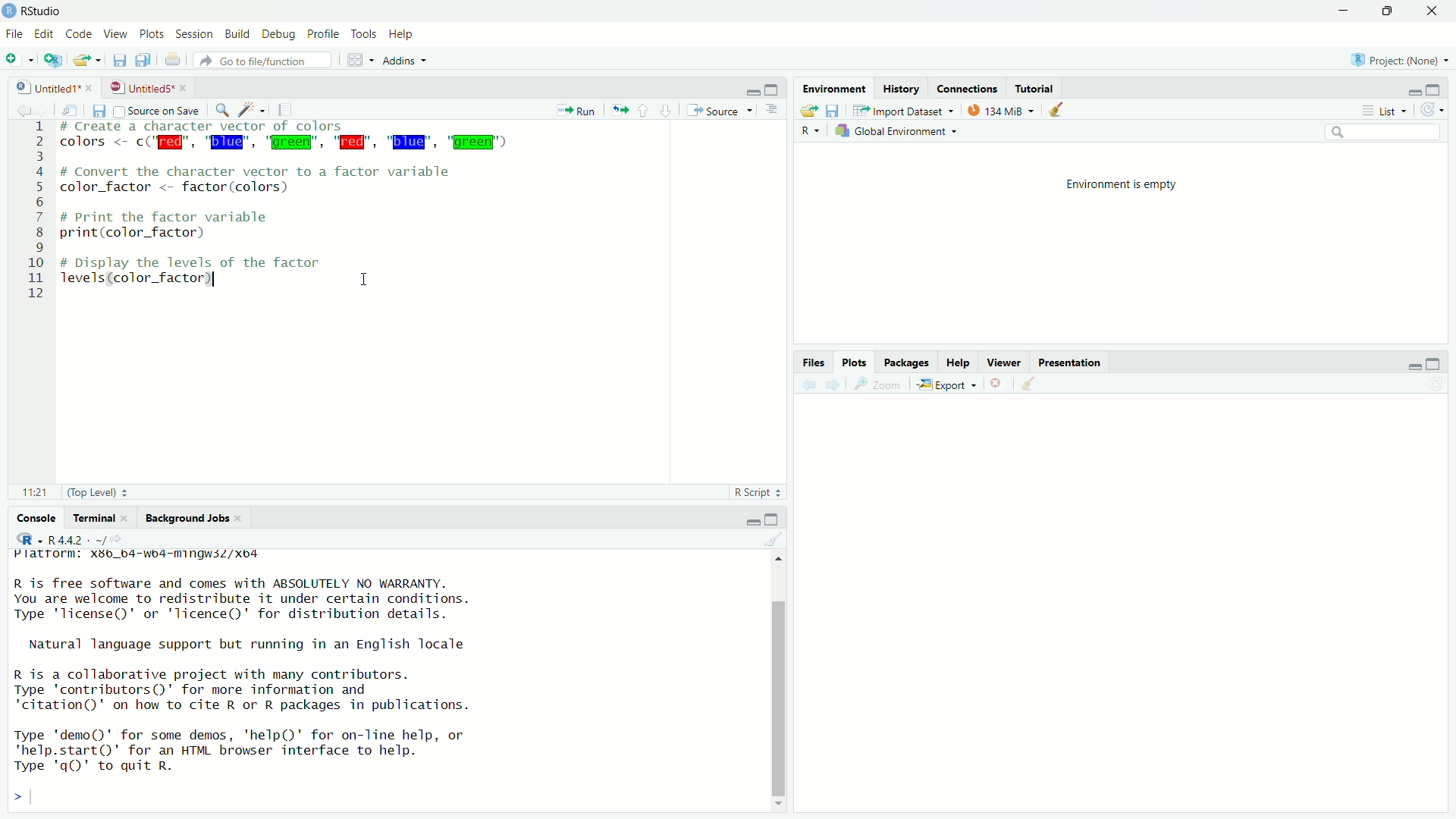  Describe the element at coordinates (1441, 362) in the screenshot. I see `maximize` at that location.